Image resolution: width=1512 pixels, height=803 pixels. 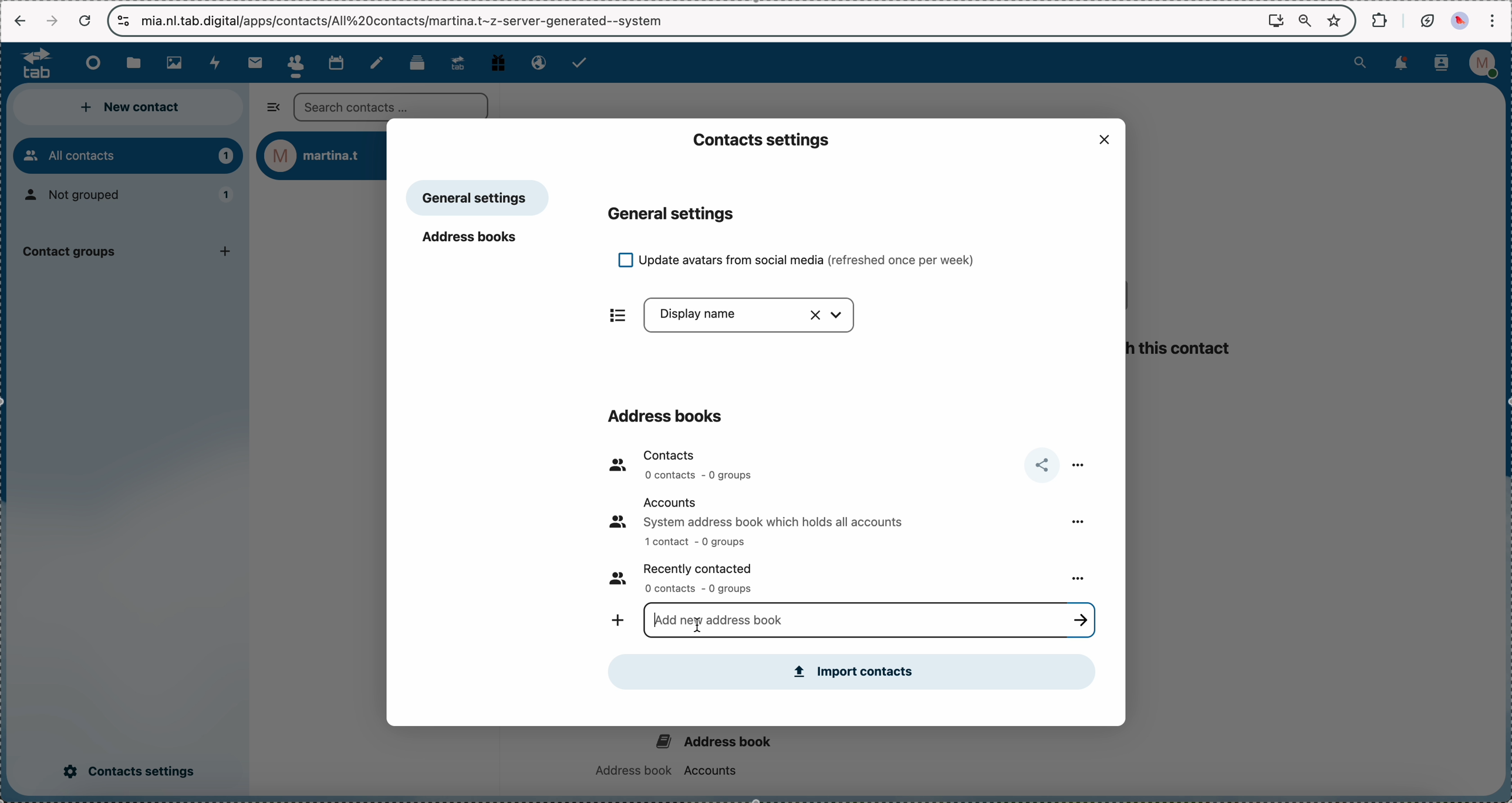 What do you see at coordinates (131, 197) in the screenshot?
I see `not grouped` at bounding box center [131, 197].